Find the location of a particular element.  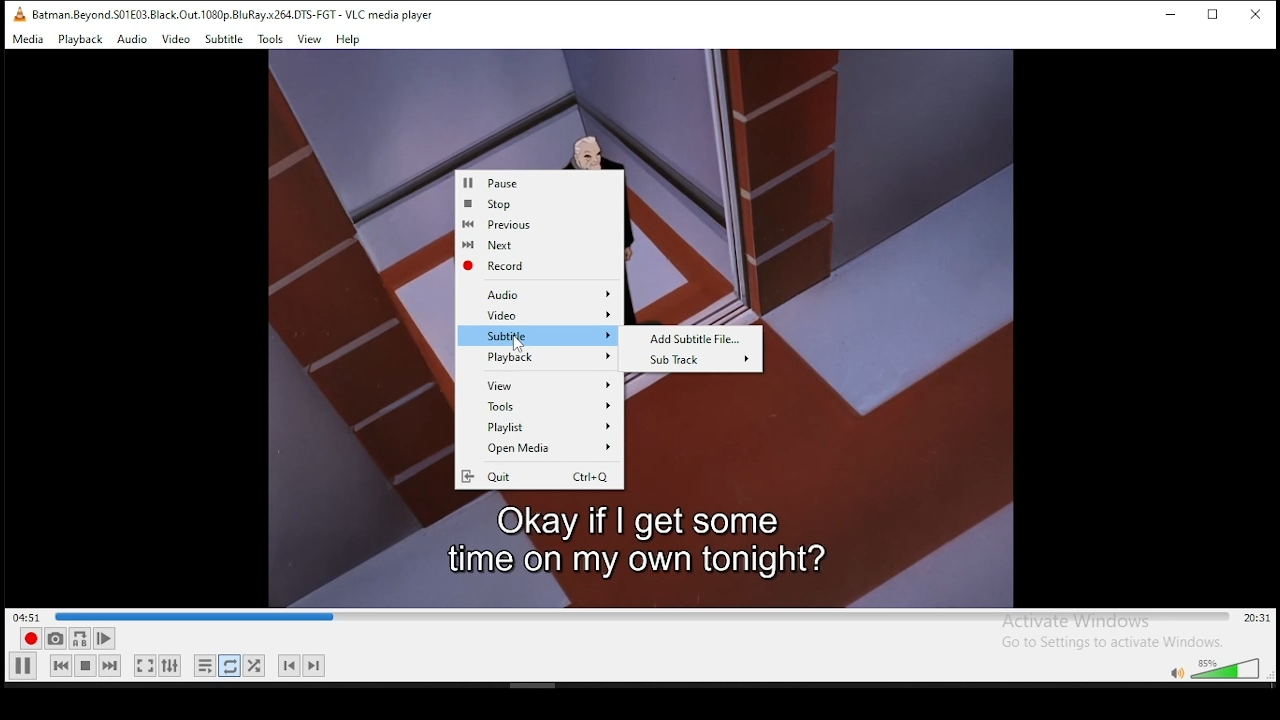

Previous Track  is located at coordinates (288, 665).